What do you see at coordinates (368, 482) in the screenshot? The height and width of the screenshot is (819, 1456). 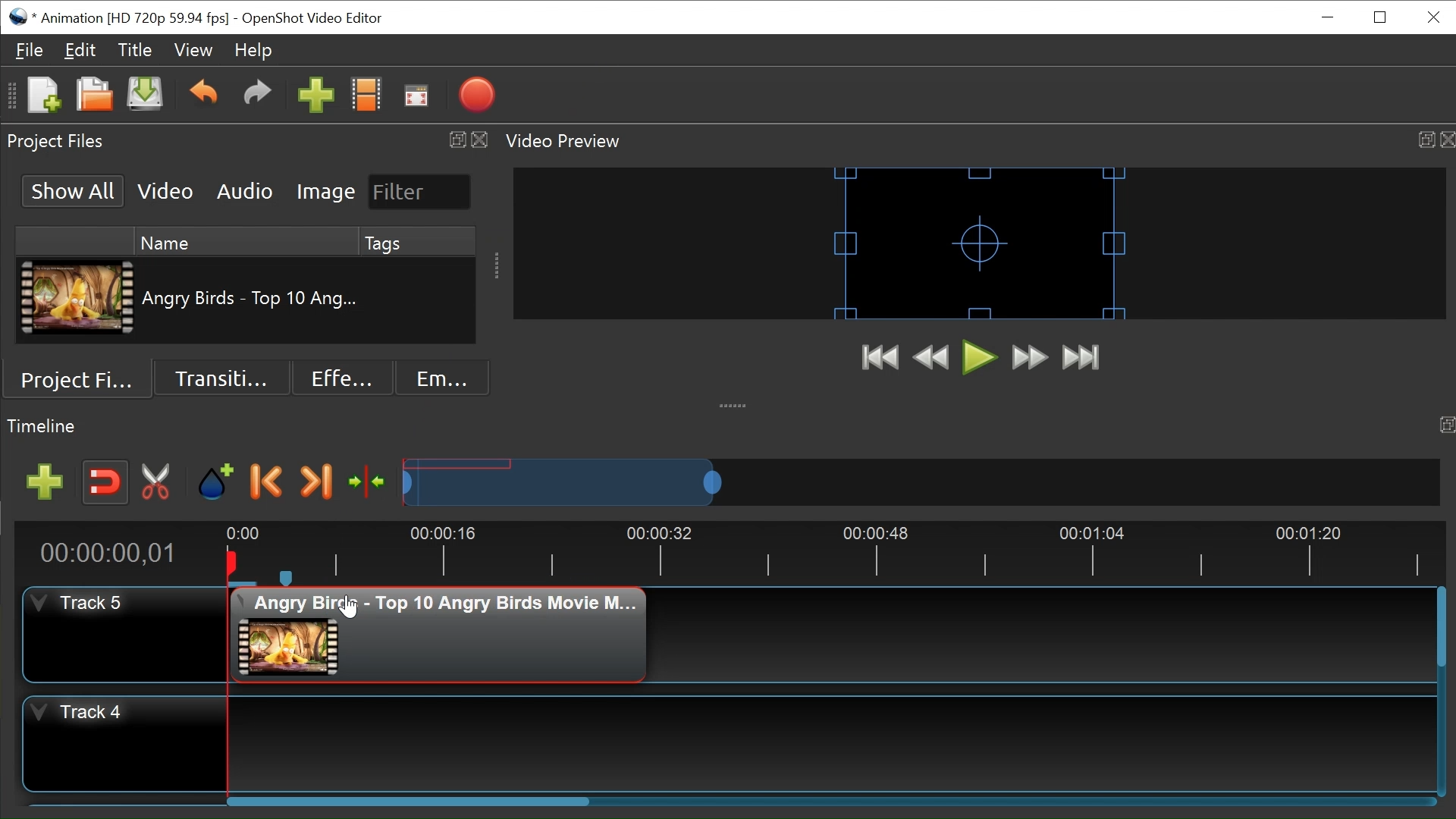 I see `Center the timeline on the playhead` at bounding box center [368, 482].